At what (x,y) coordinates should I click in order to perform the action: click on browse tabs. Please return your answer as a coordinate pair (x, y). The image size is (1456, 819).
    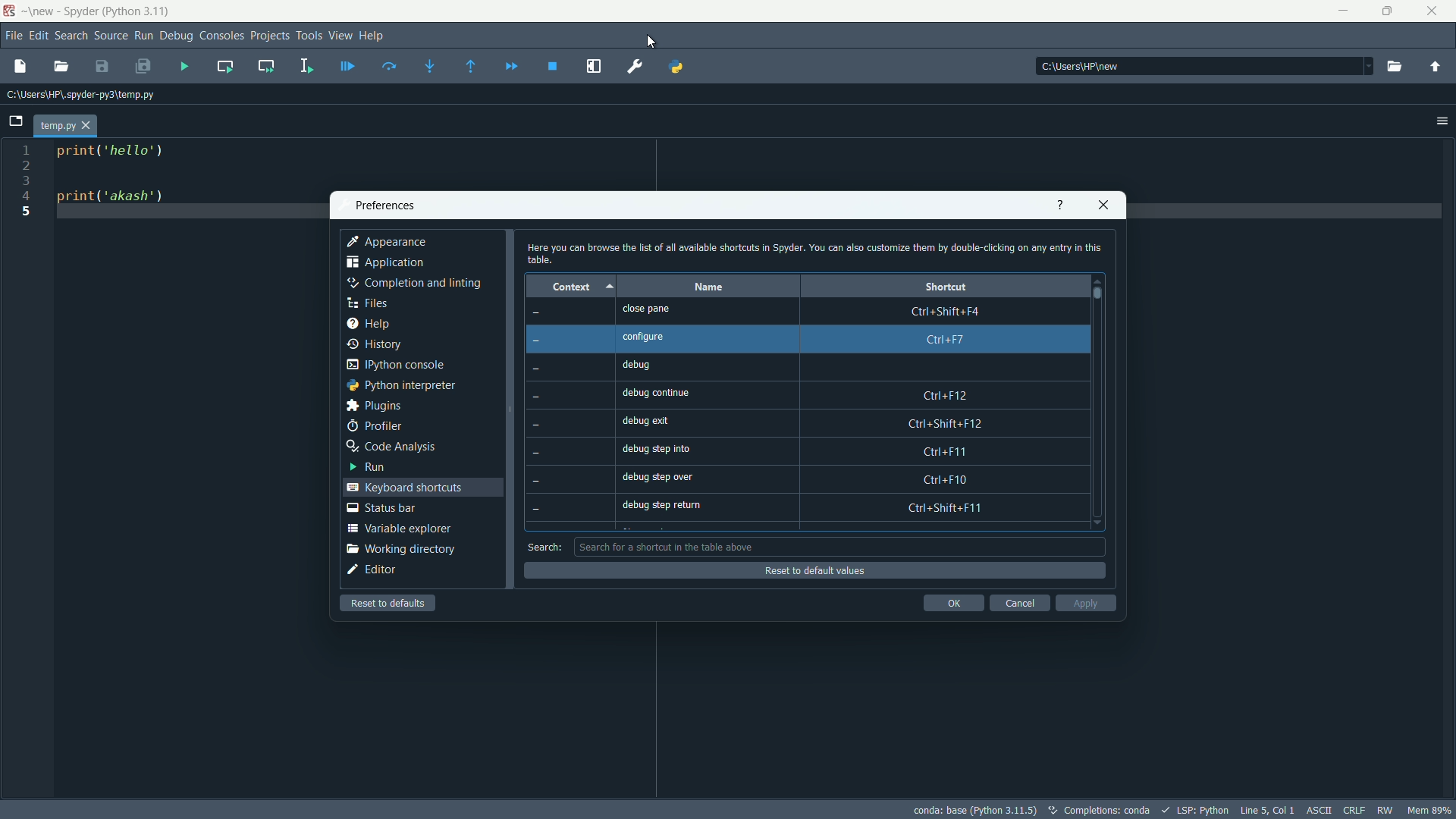
    Looking at the image, I should click on (15, 121).